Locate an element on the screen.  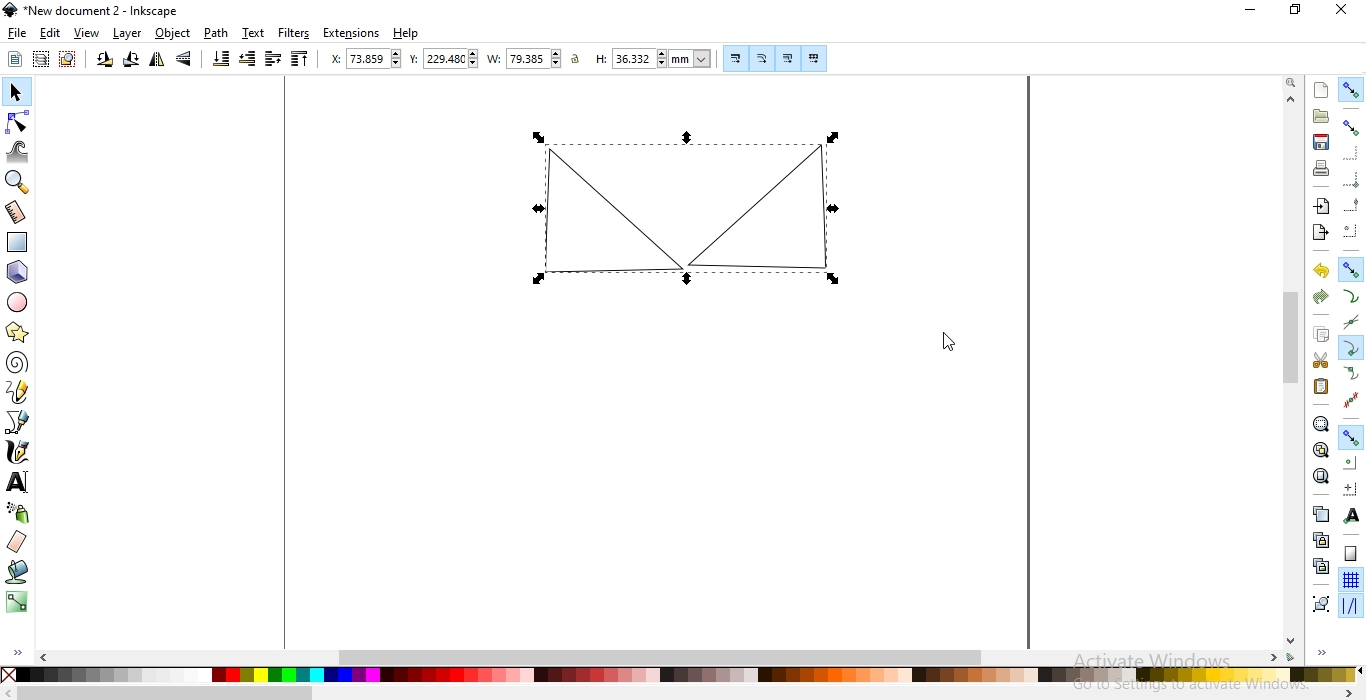
minimize is located at coordinates (1254, 12).